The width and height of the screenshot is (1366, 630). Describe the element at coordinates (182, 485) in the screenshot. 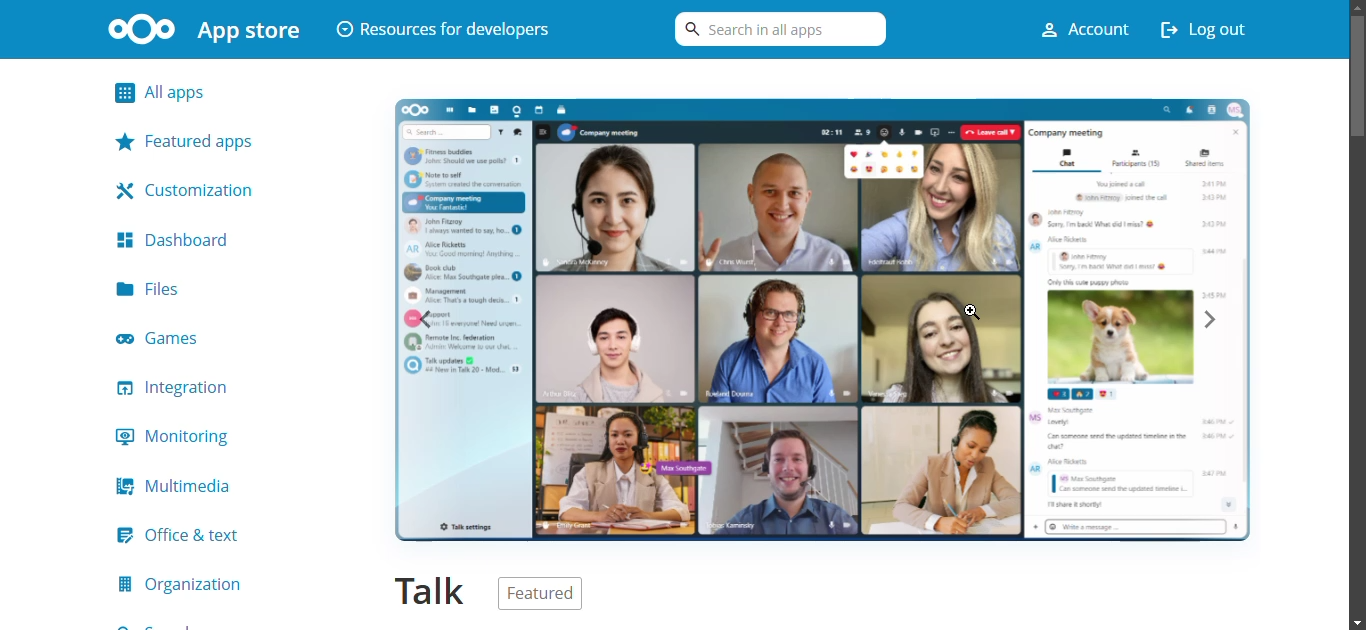

I see `multimedia` at that location.